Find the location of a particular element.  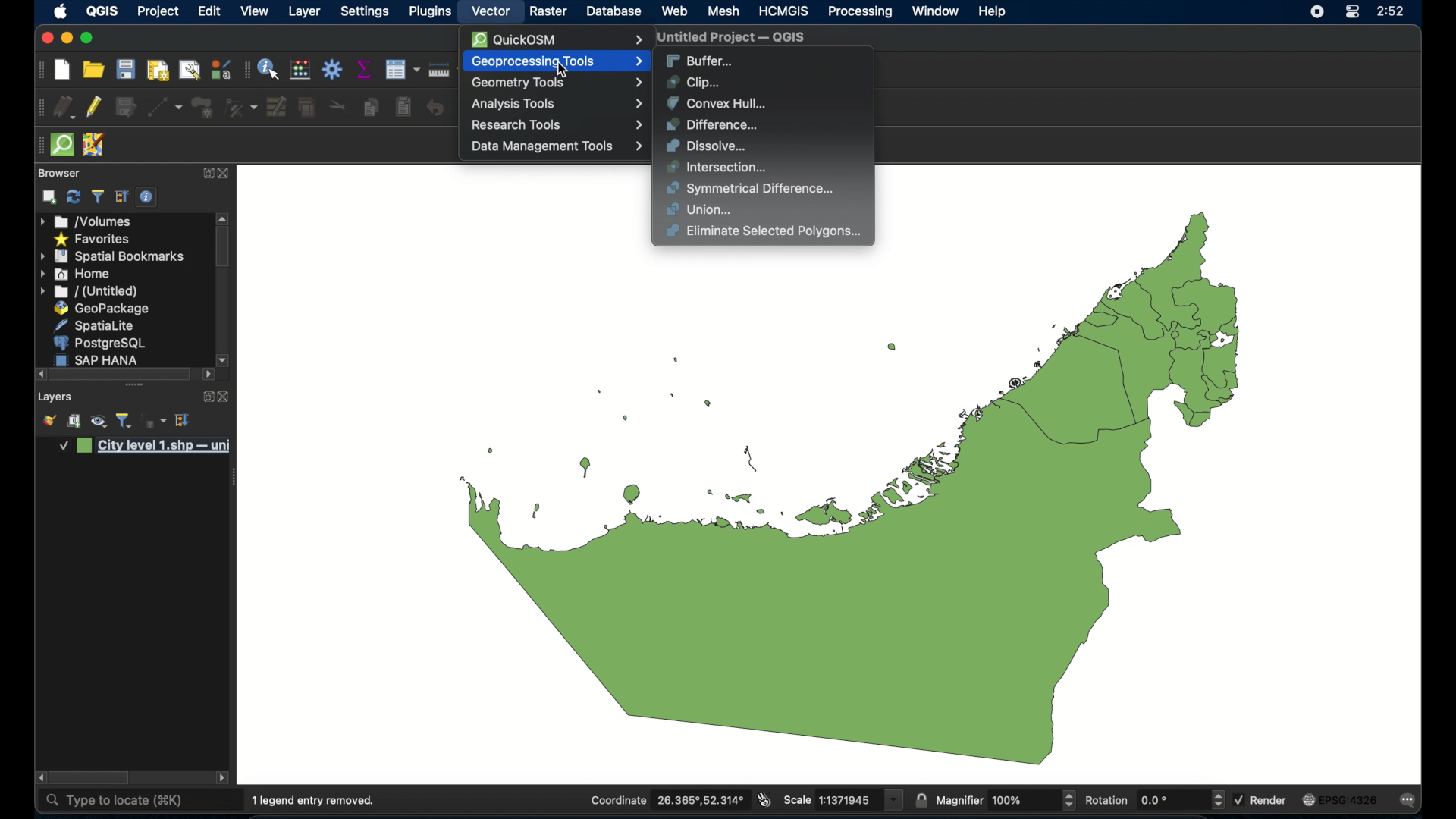

spatial bookmarks is located at coordinates (111, 257).